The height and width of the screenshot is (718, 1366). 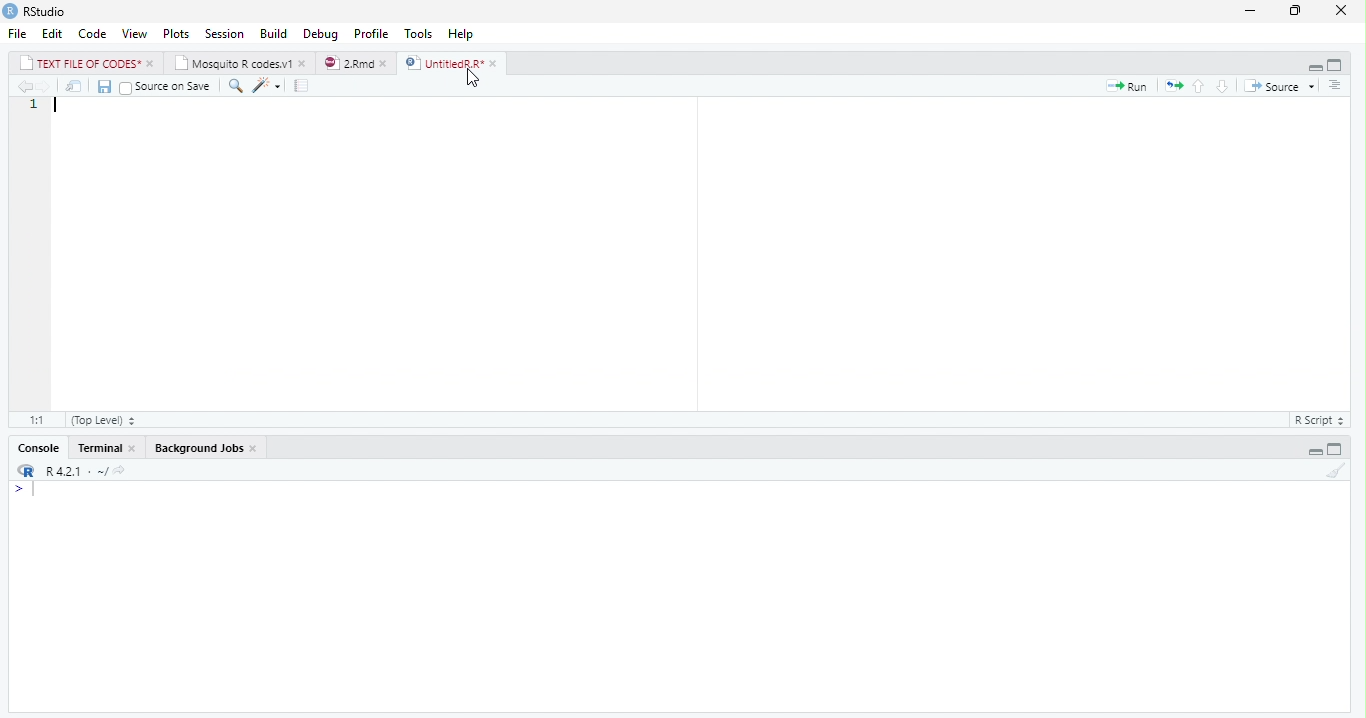 What do you see at coordinates (224, 34) in the screenshot?
I see `session` at bounding box center [224, 34].